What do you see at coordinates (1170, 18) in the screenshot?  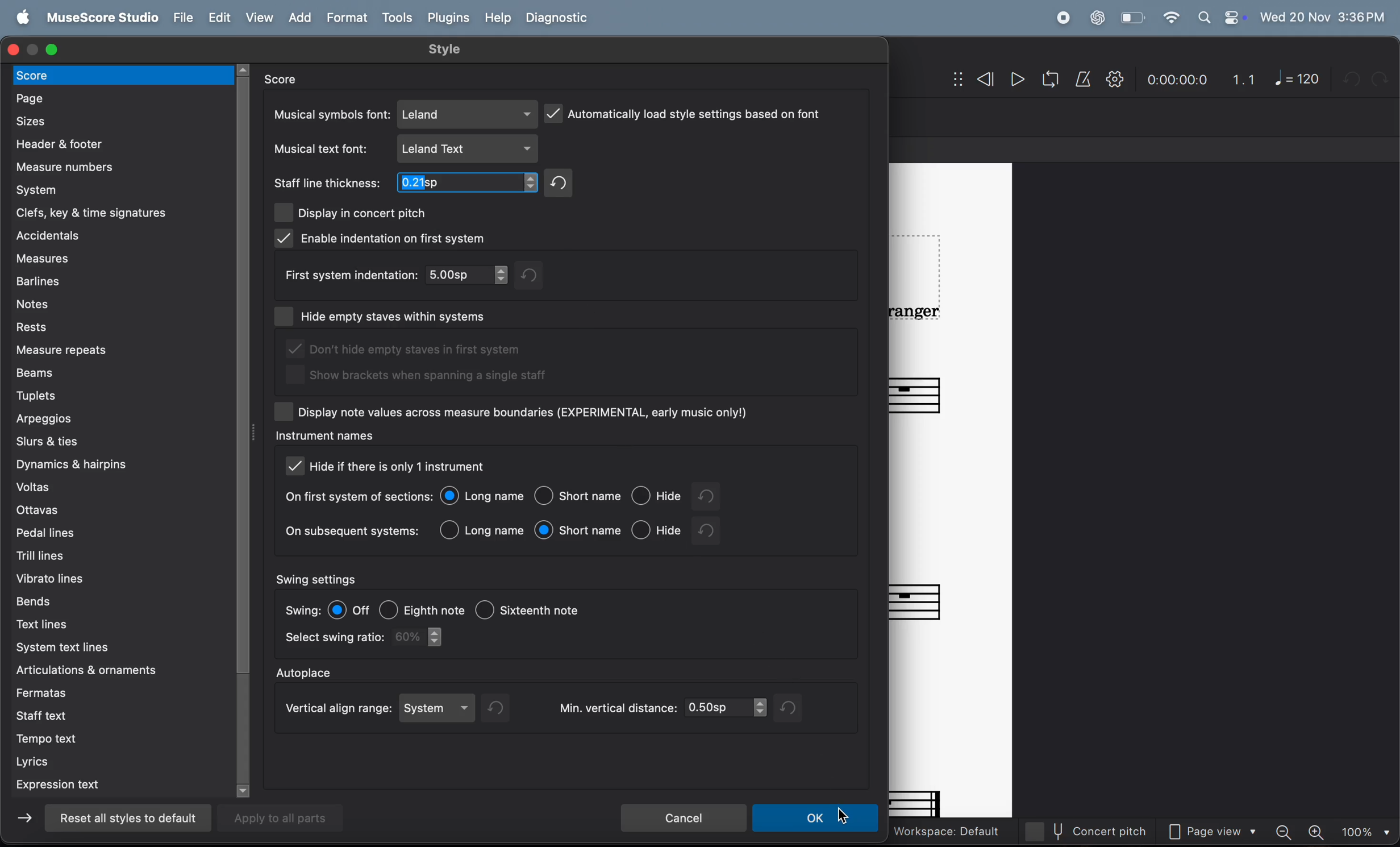 I see `wifi` at bounding box center [1170, 18].